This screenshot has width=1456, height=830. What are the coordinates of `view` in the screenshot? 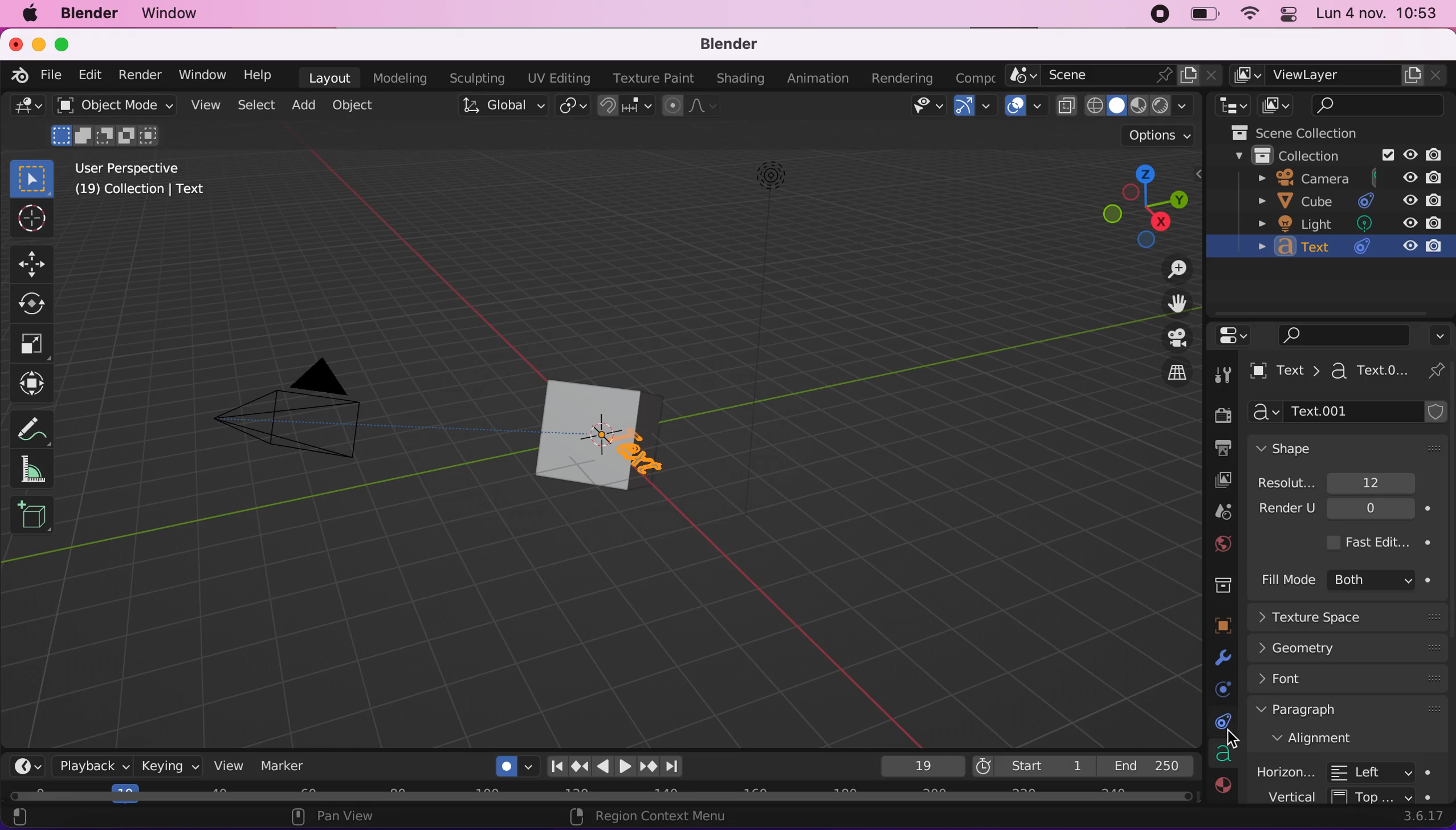 It's located at (227, 765).